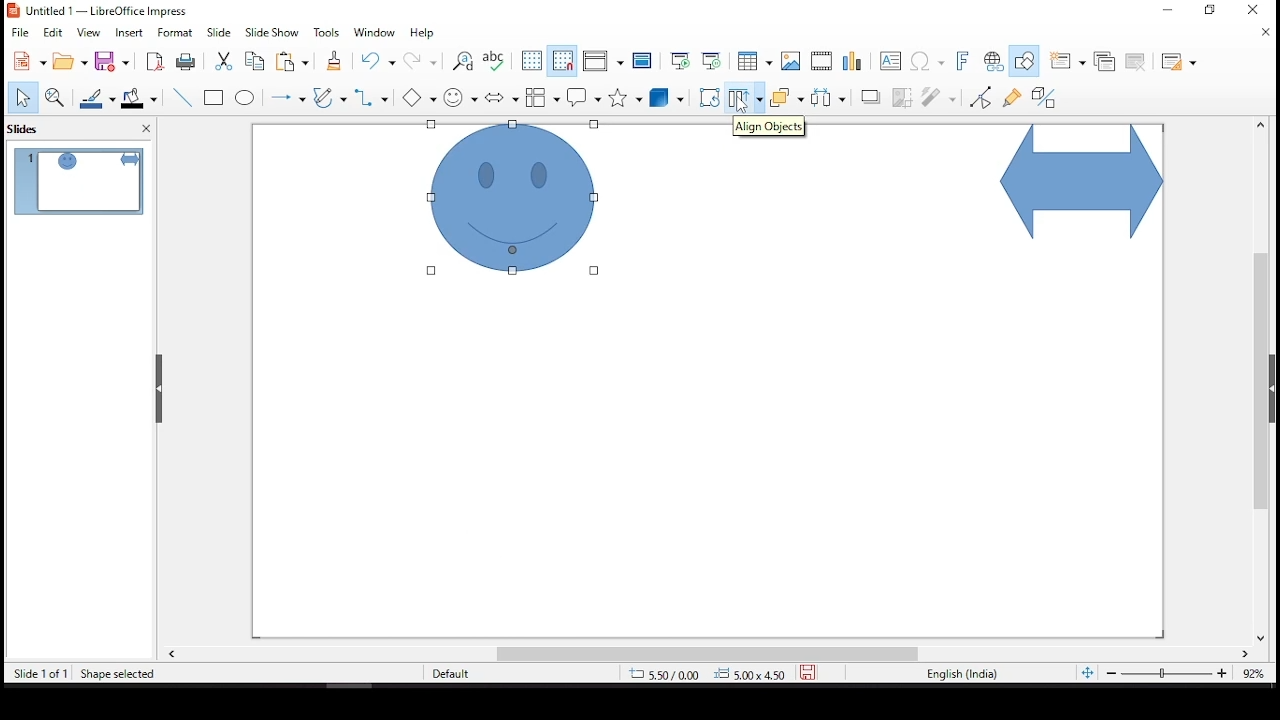 The width and height of the screenshot is (1280, 720). I want to click on symbol shapes, so click(463, 96).